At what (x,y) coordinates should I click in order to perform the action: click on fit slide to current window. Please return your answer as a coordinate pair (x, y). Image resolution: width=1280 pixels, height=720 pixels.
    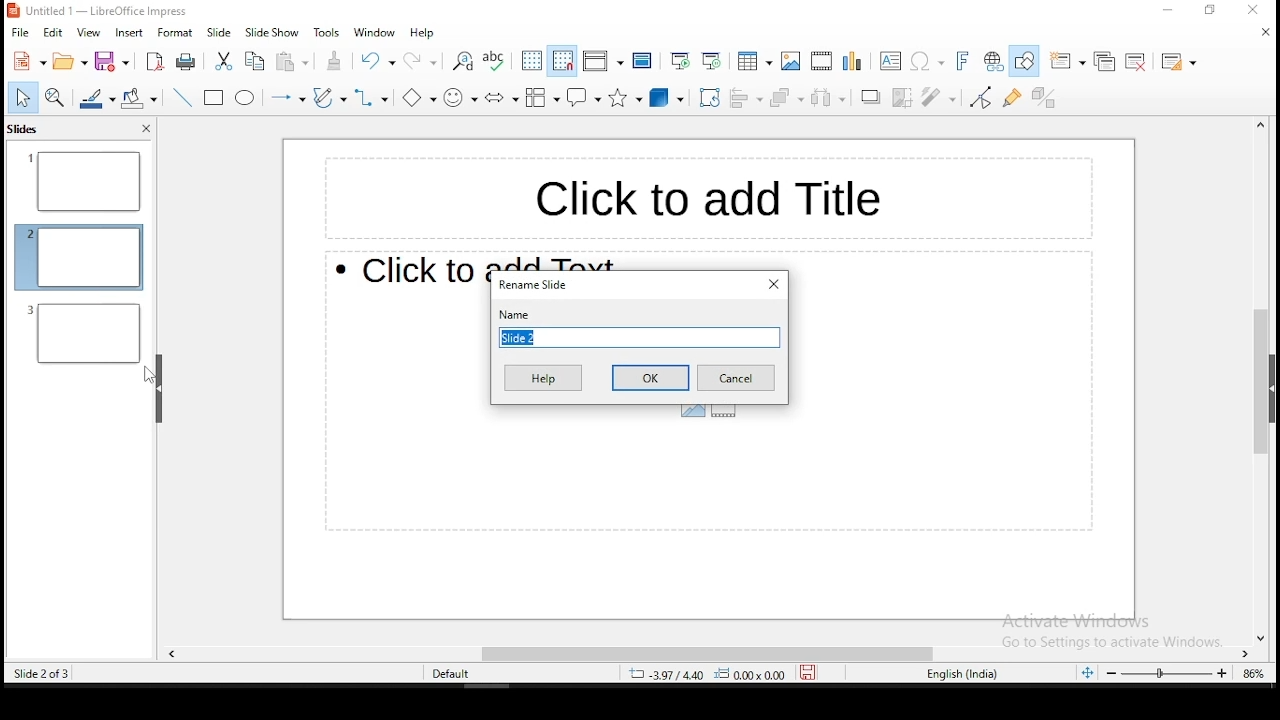
    Looking at the image, I should click on (1084, 673).